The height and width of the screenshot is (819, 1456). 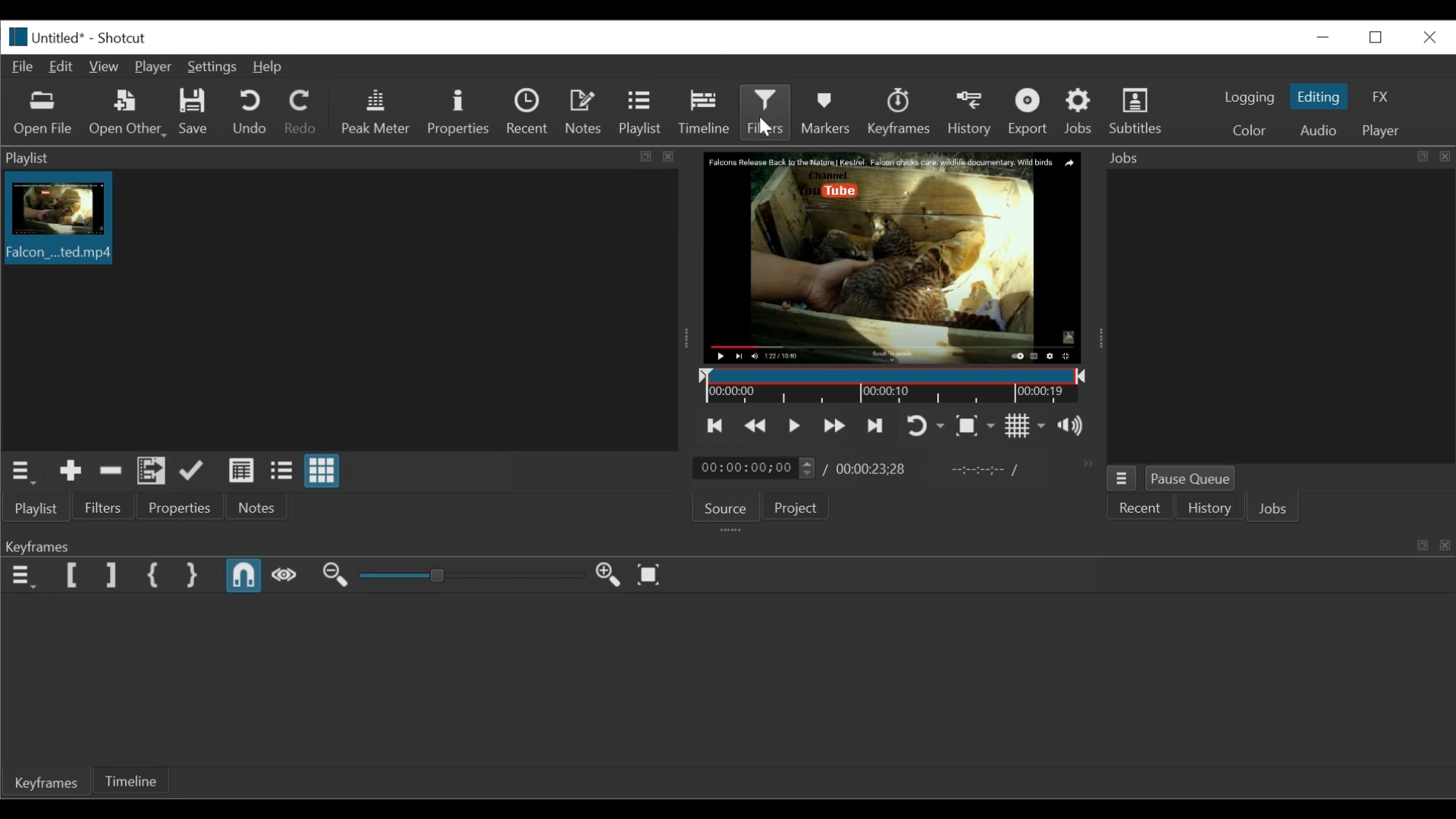 I want to click on Help, so click(x=272, y=67).